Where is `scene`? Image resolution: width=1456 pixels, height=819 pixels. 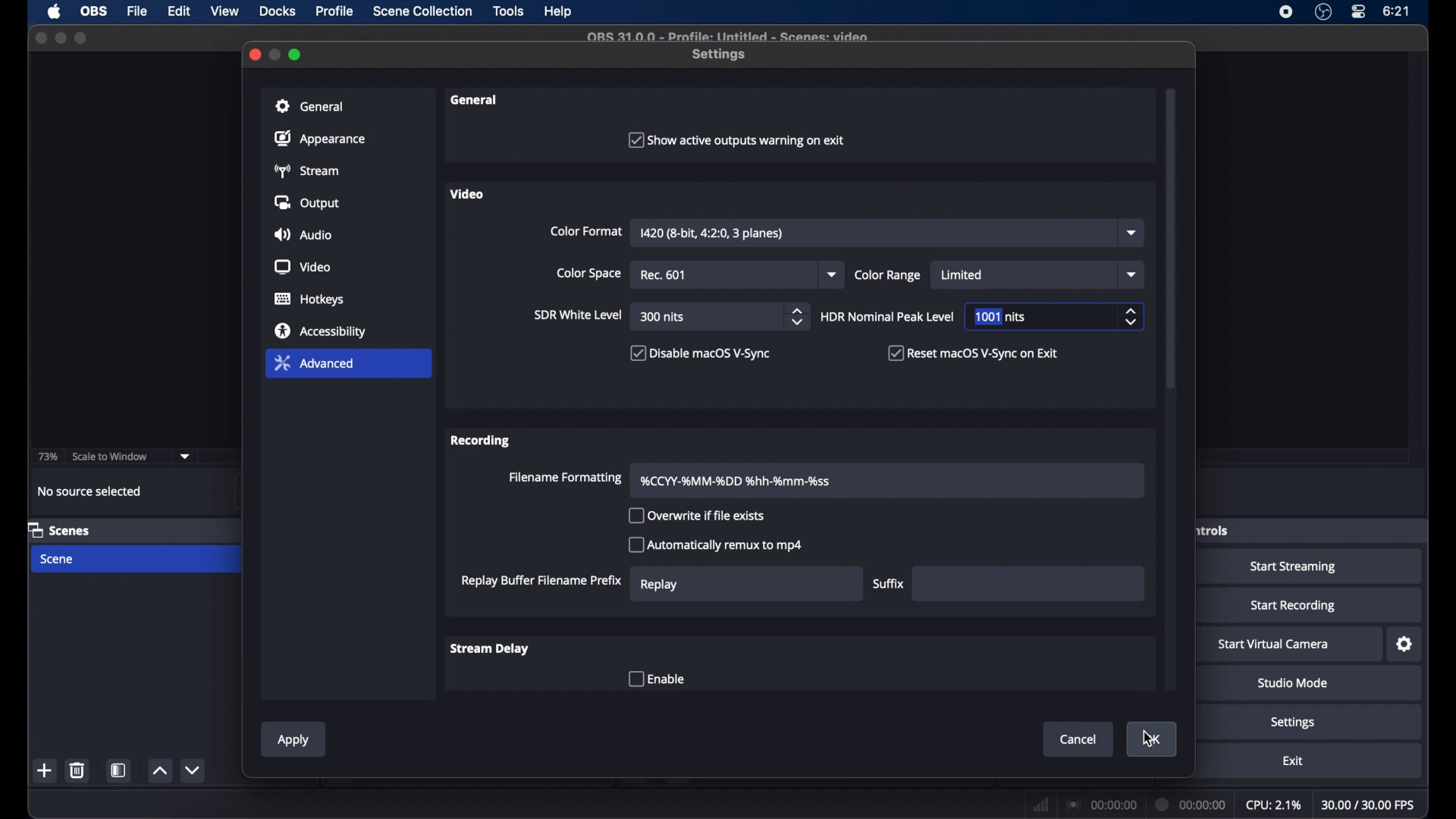 scene is located at coordinates (58, 560).